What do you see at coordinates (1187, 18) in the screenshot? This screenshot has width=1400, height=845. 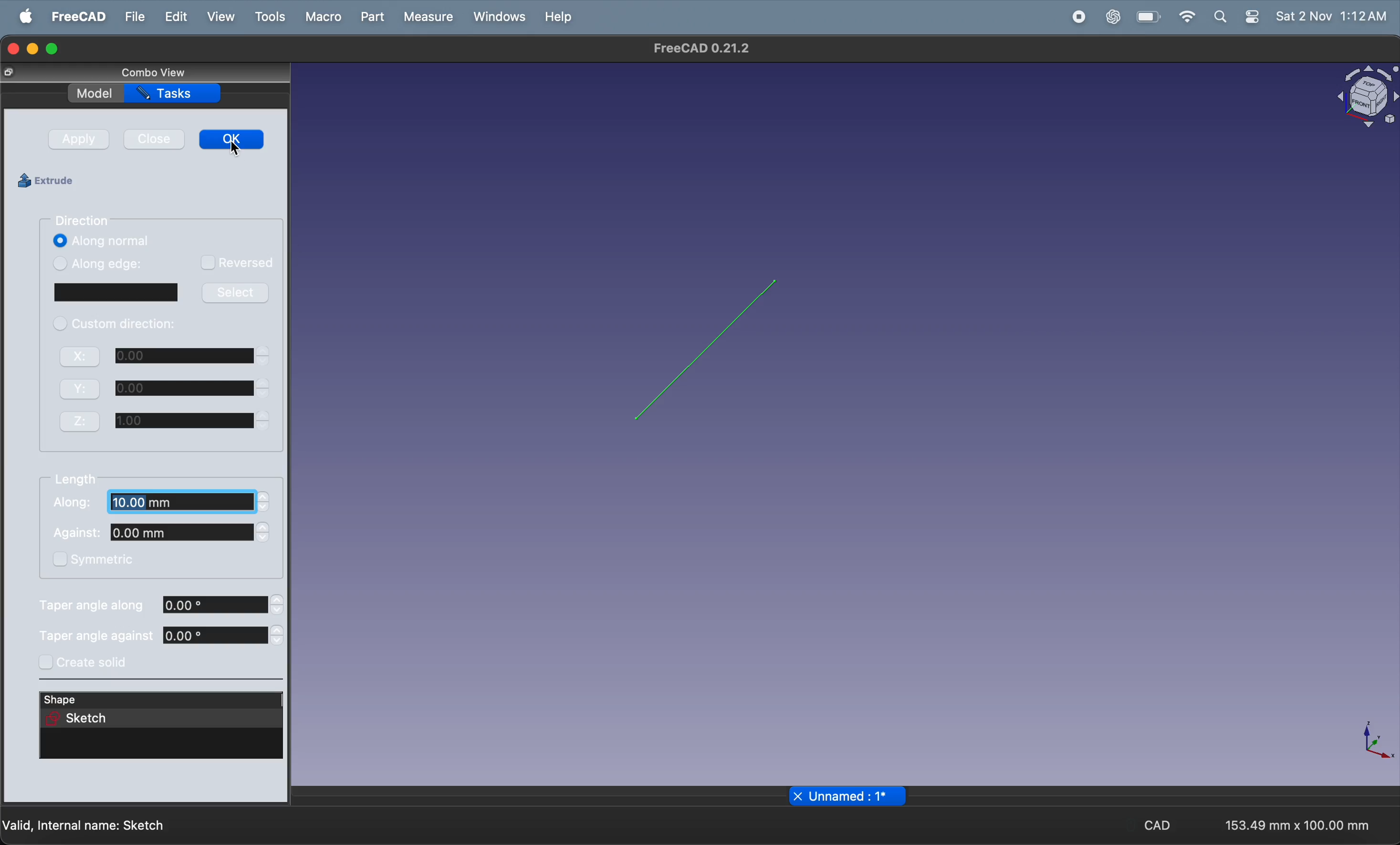 I see `wifi` at bounding box center [1187, 18].